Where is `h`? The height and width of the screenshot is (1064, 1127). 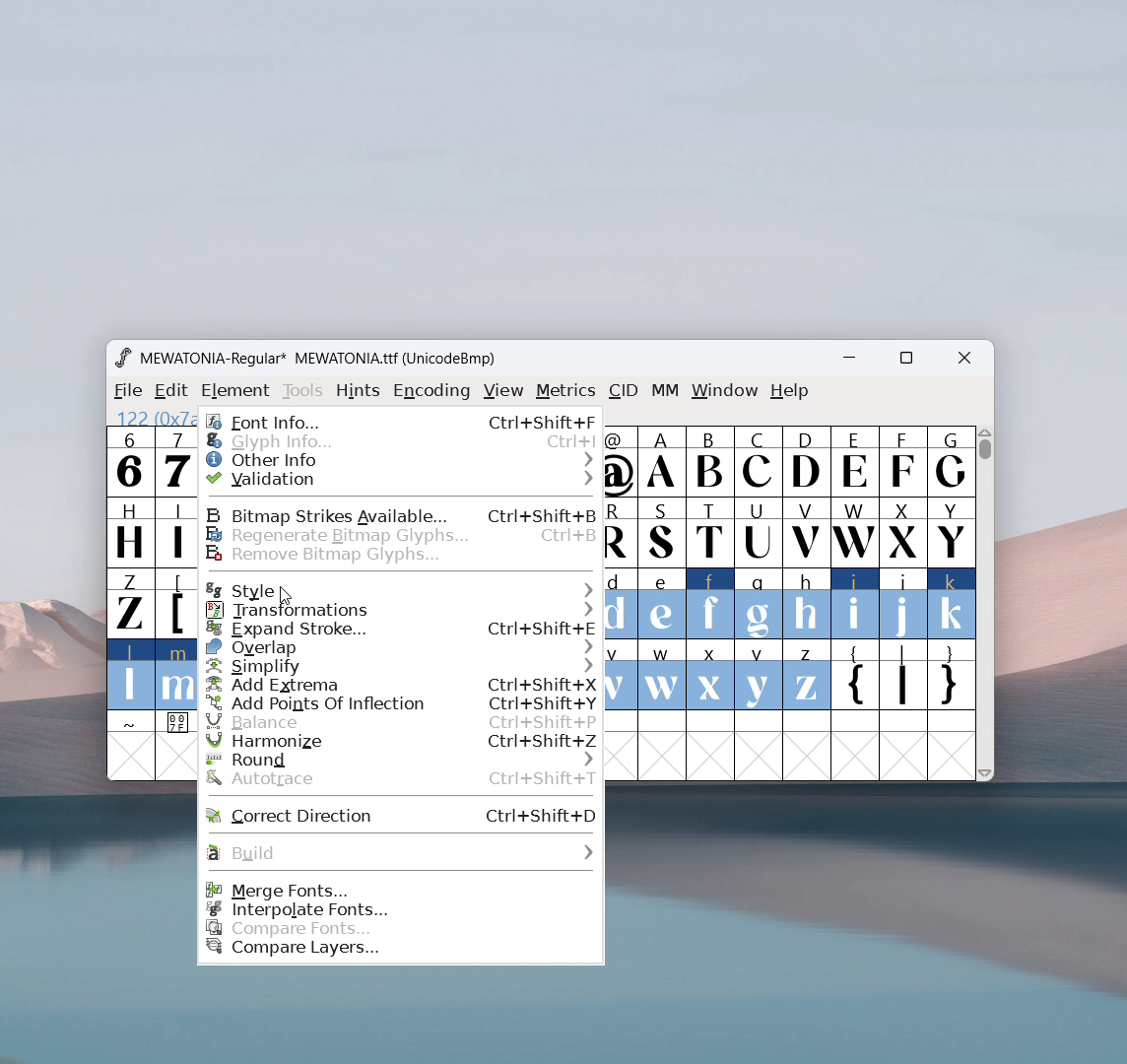
h is located at coordinates (805, 601).